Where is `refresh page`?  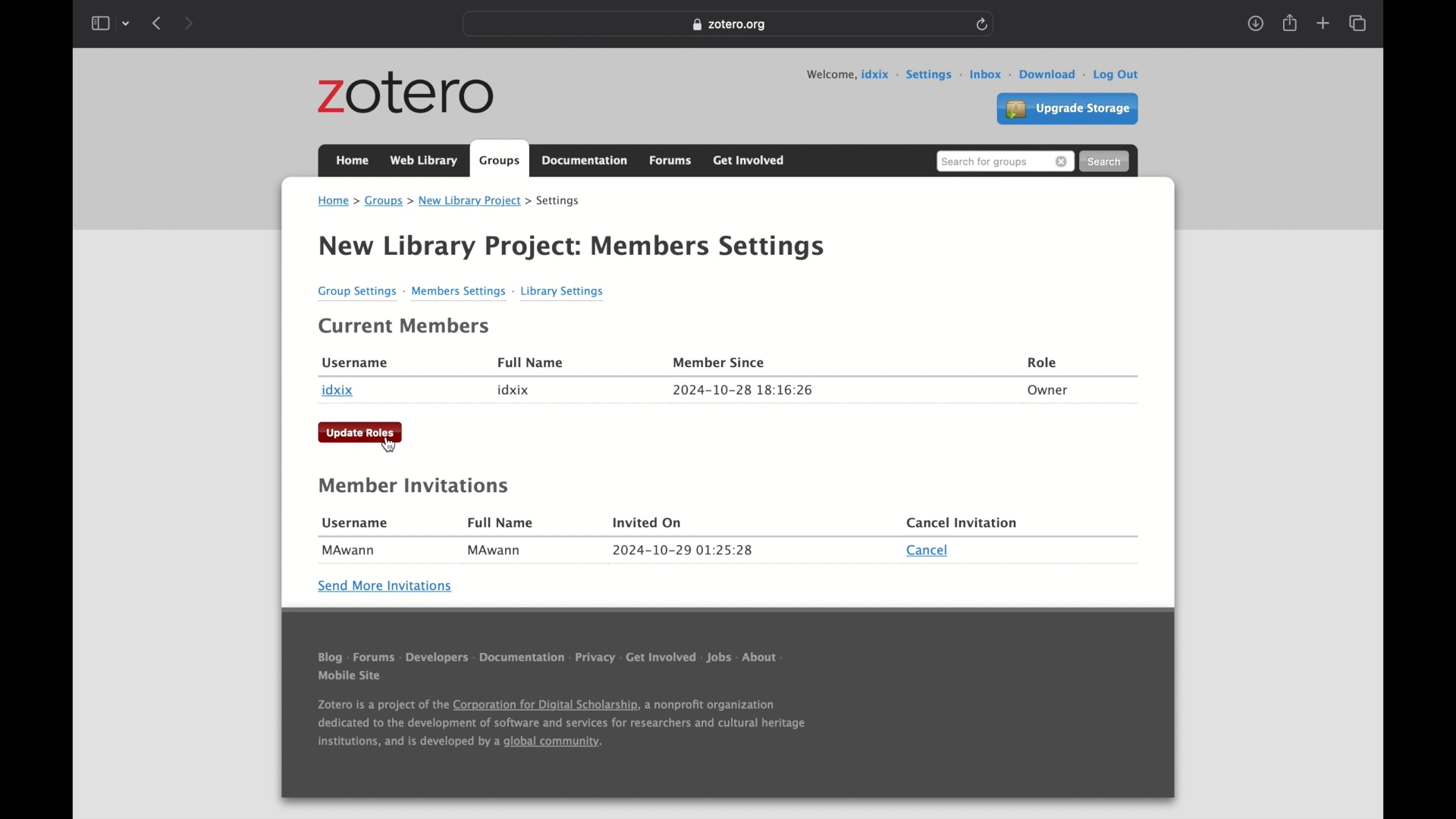 refresh page is located at coordinates (982, 23).